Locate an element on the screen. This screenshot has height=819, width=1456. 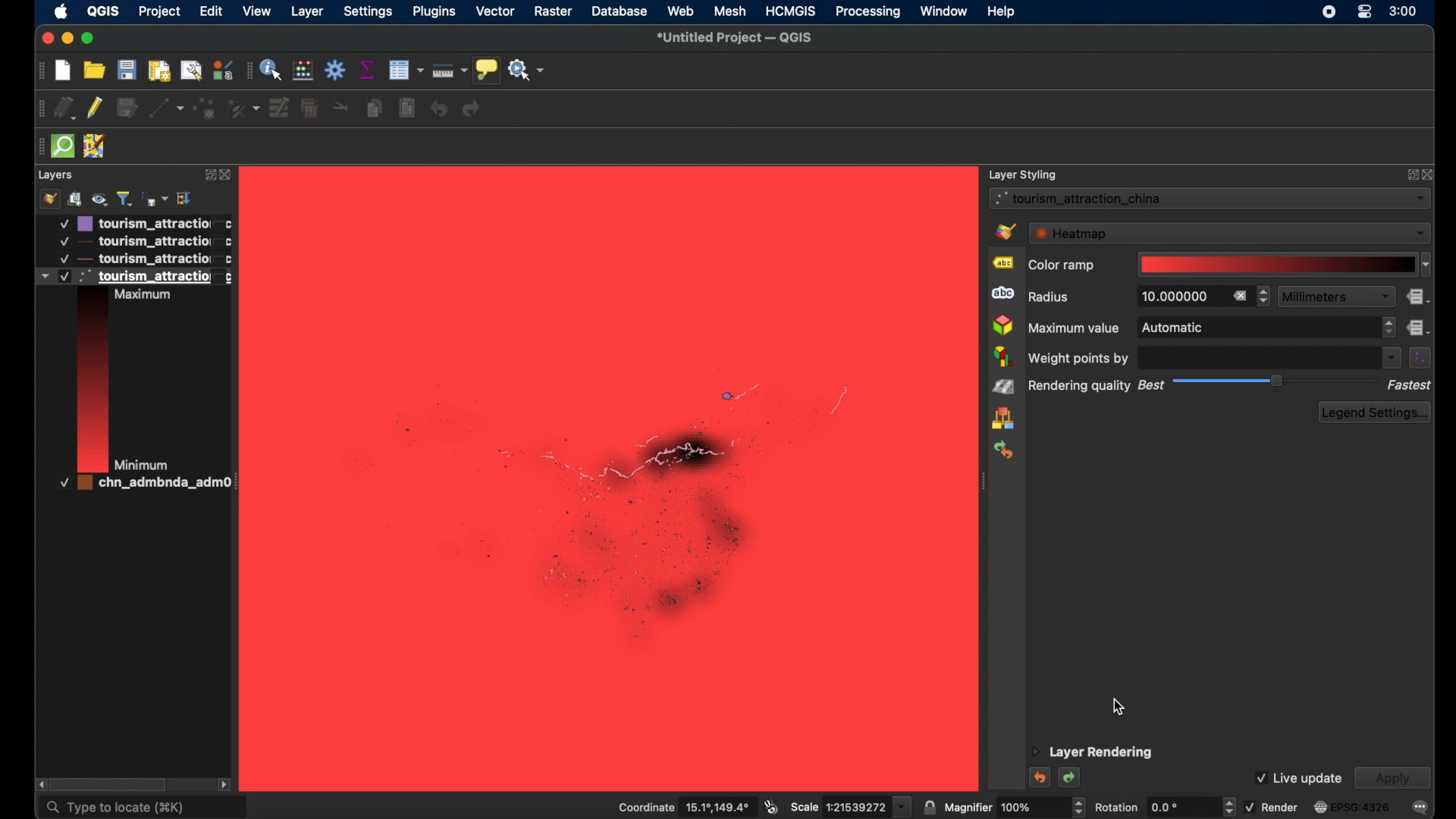
type to locate is located at coordinates (142, 808).